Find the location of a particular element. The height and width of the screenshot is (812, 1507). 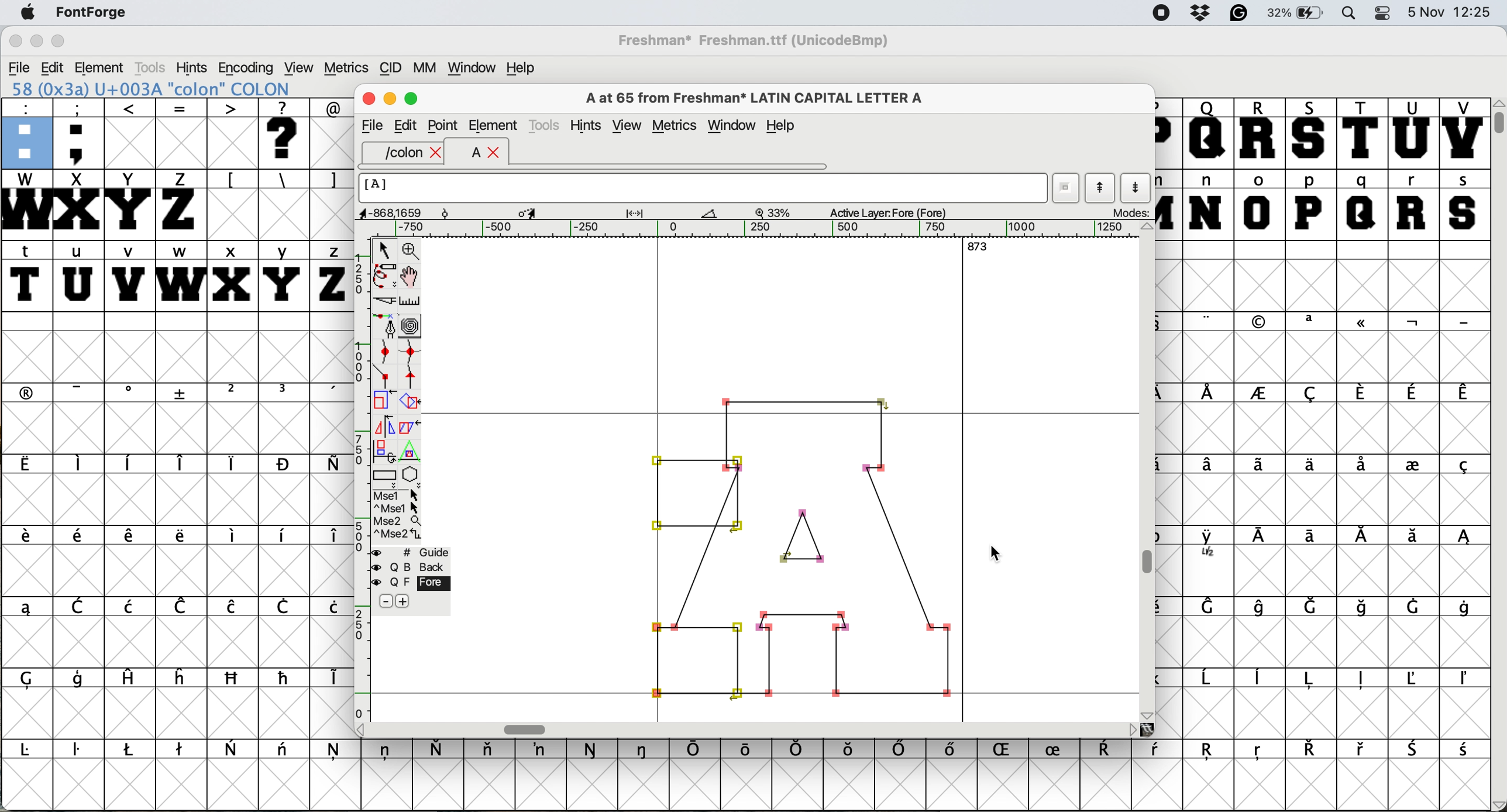

symbol is located at coordinates (1309, 749).